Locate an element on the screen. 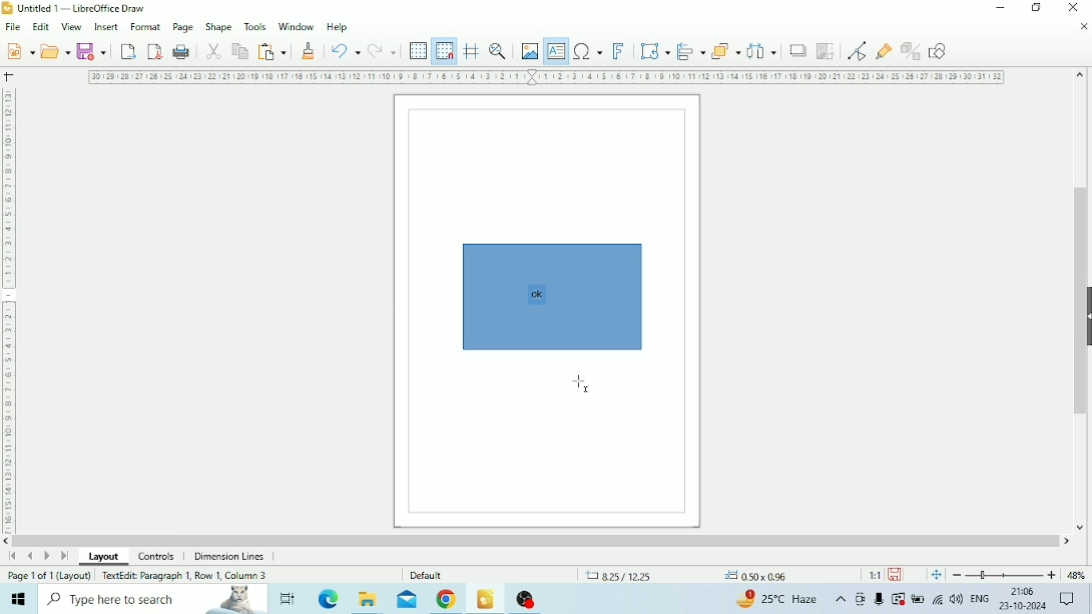  Controls is located at coordinates (160, 557).